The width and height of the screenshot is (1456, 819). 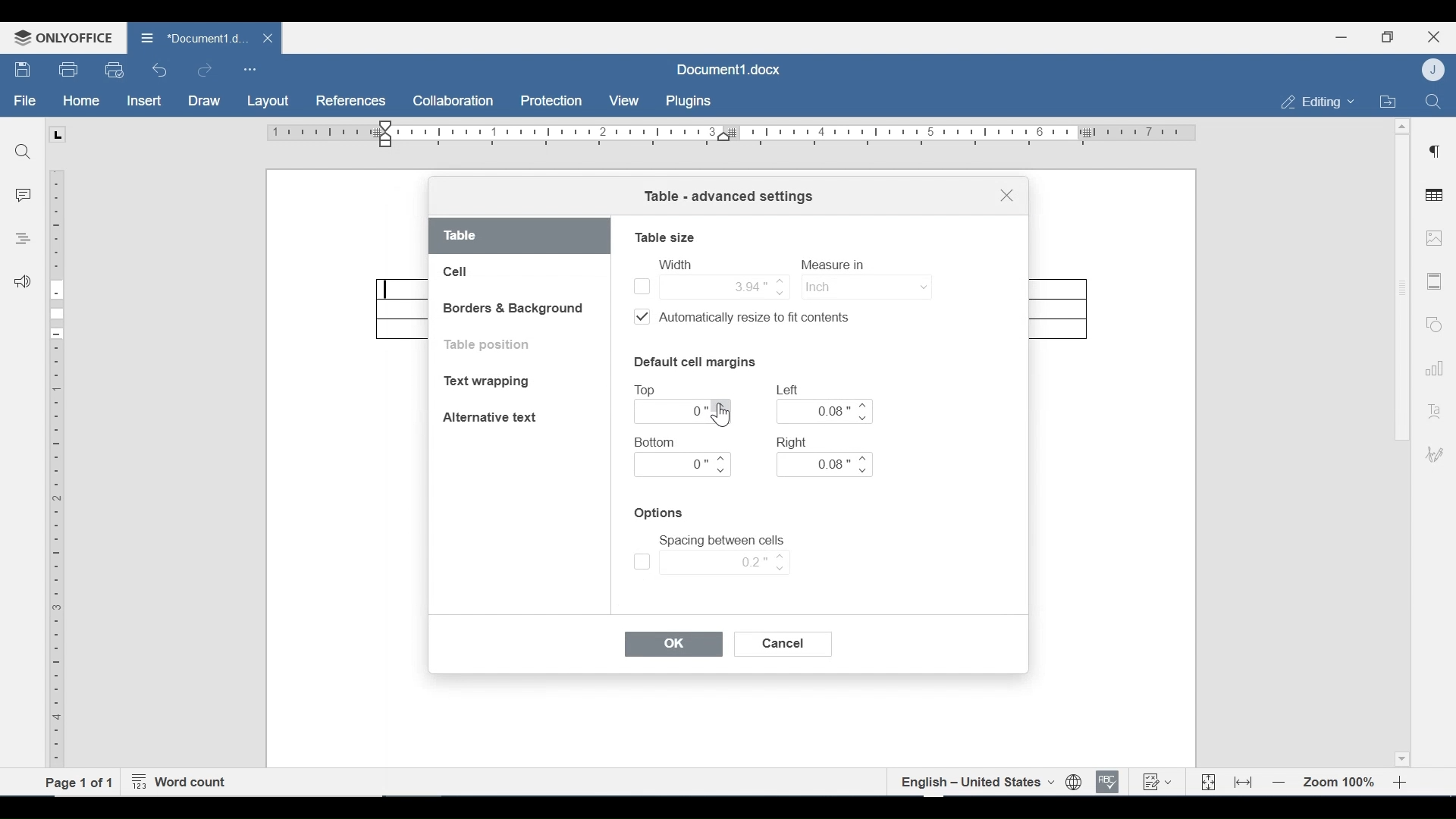 I want to click on Print, so click(x=69, y=70).